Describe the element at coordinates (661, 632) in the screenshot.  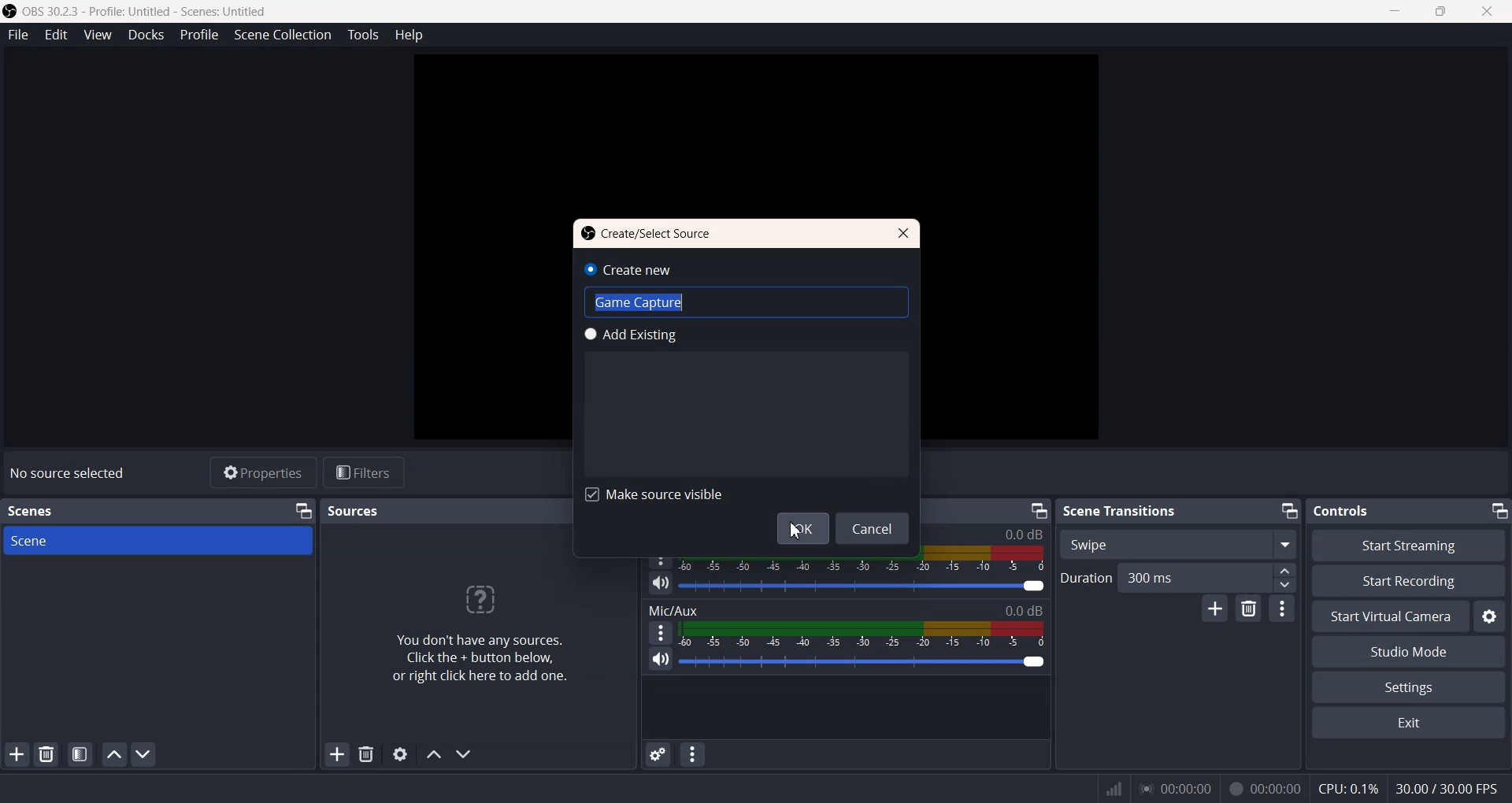
I see `More` at that location.